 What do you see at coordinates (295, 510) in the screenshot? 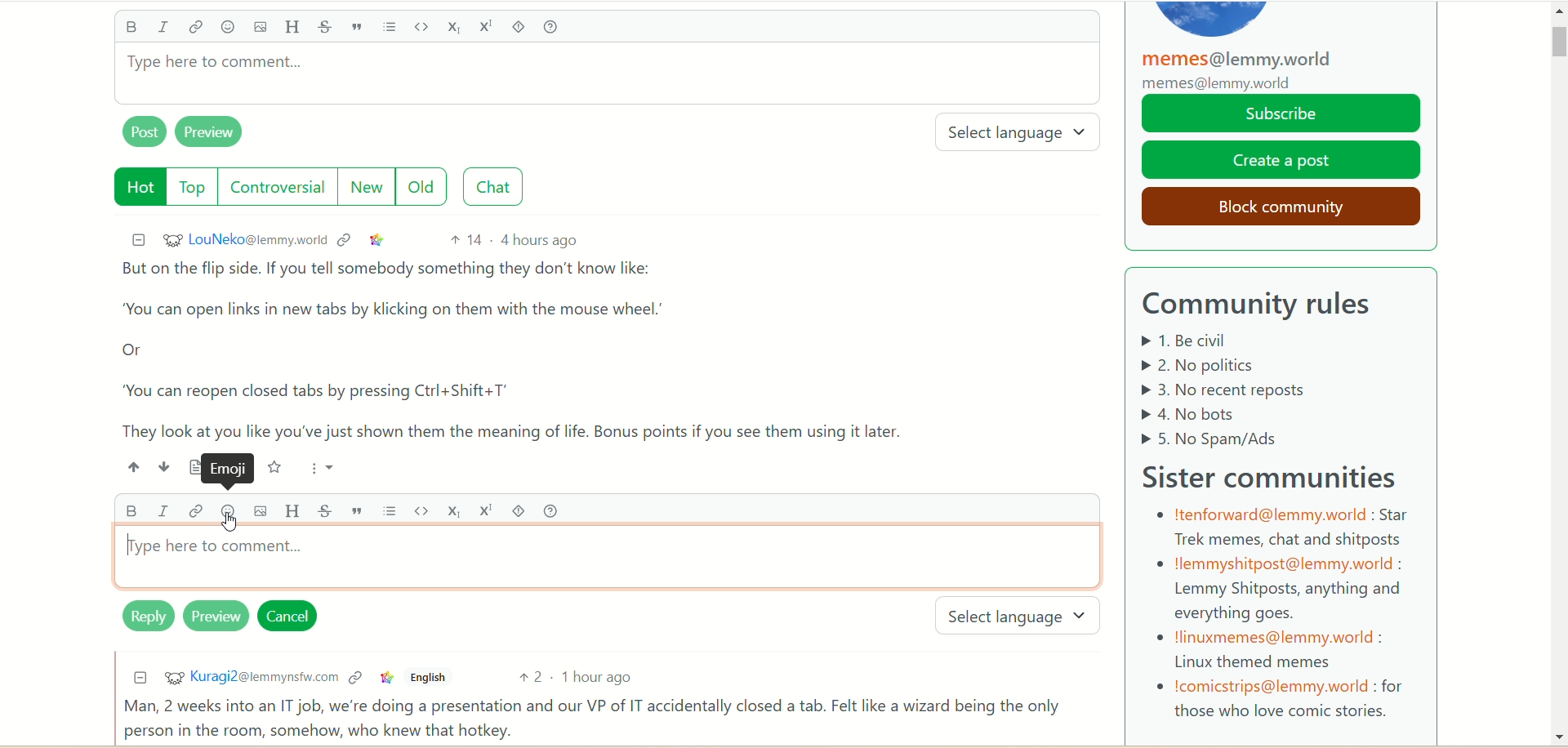
I see `header` at bounding box center [295, 510].